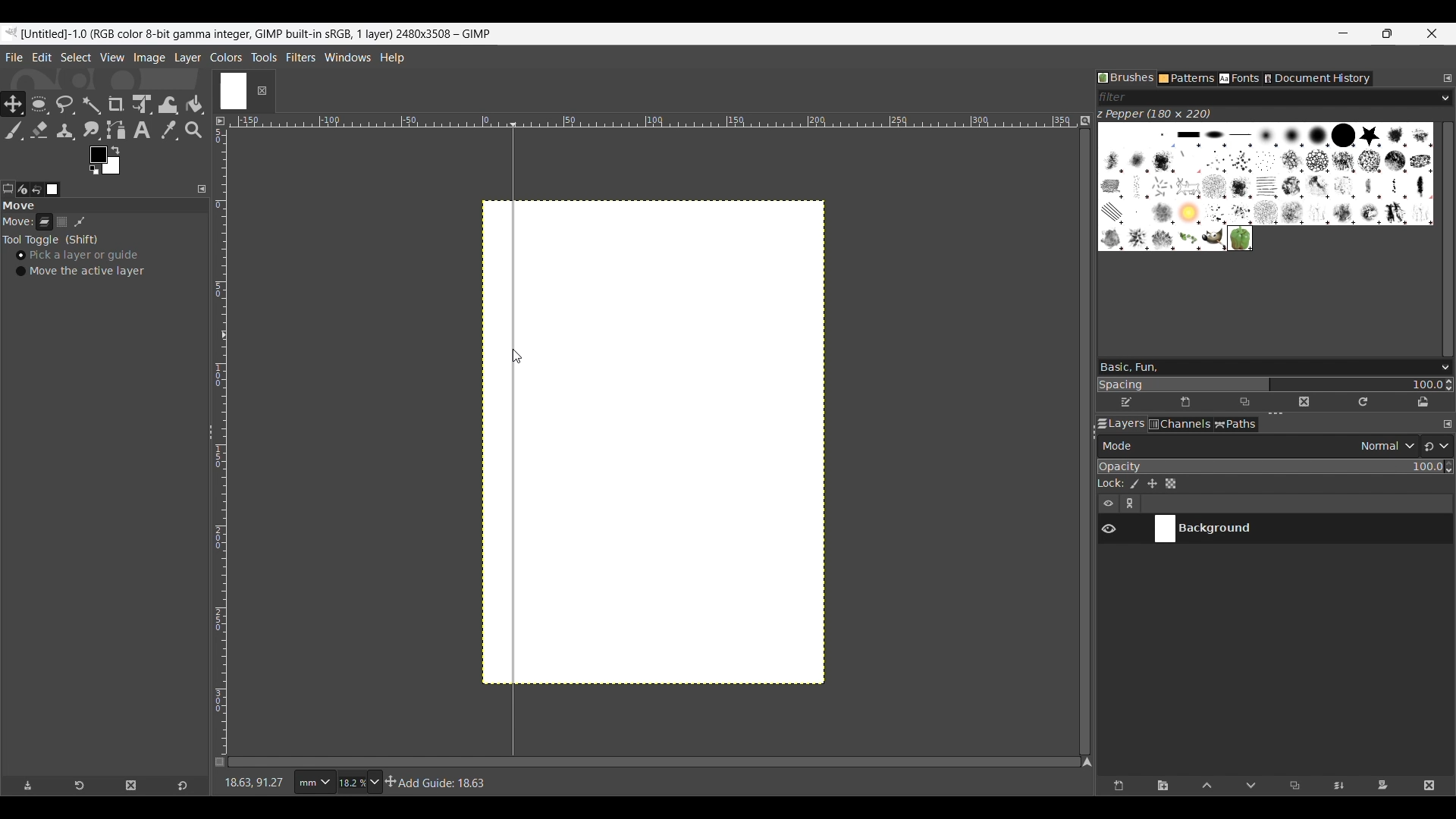  What do you see at coordinates (1236, 424) in the screenshot?
I see `Paths tab` at bounding box center [1236, 424].